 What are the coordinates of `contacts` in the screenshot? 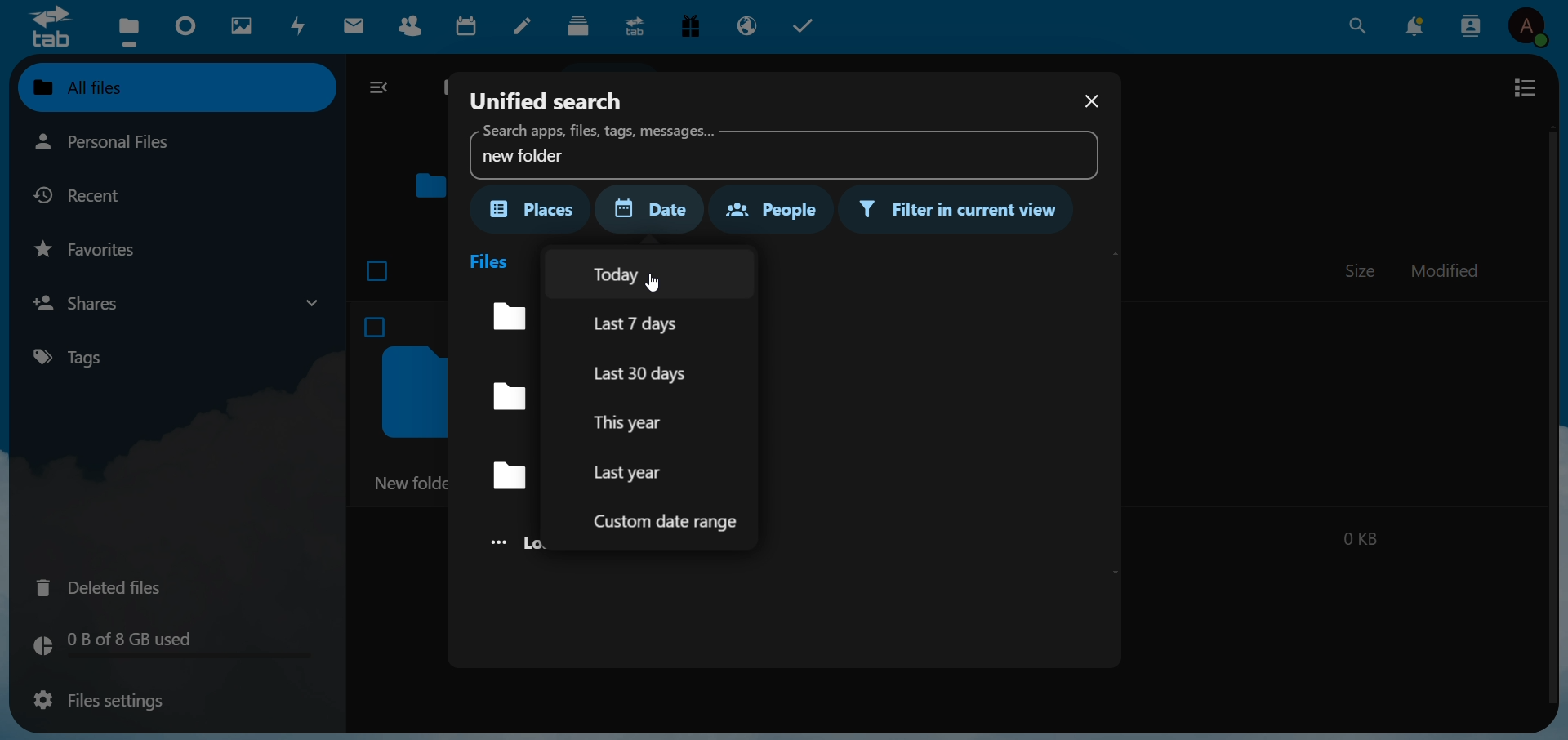 It's located at (415, 29).